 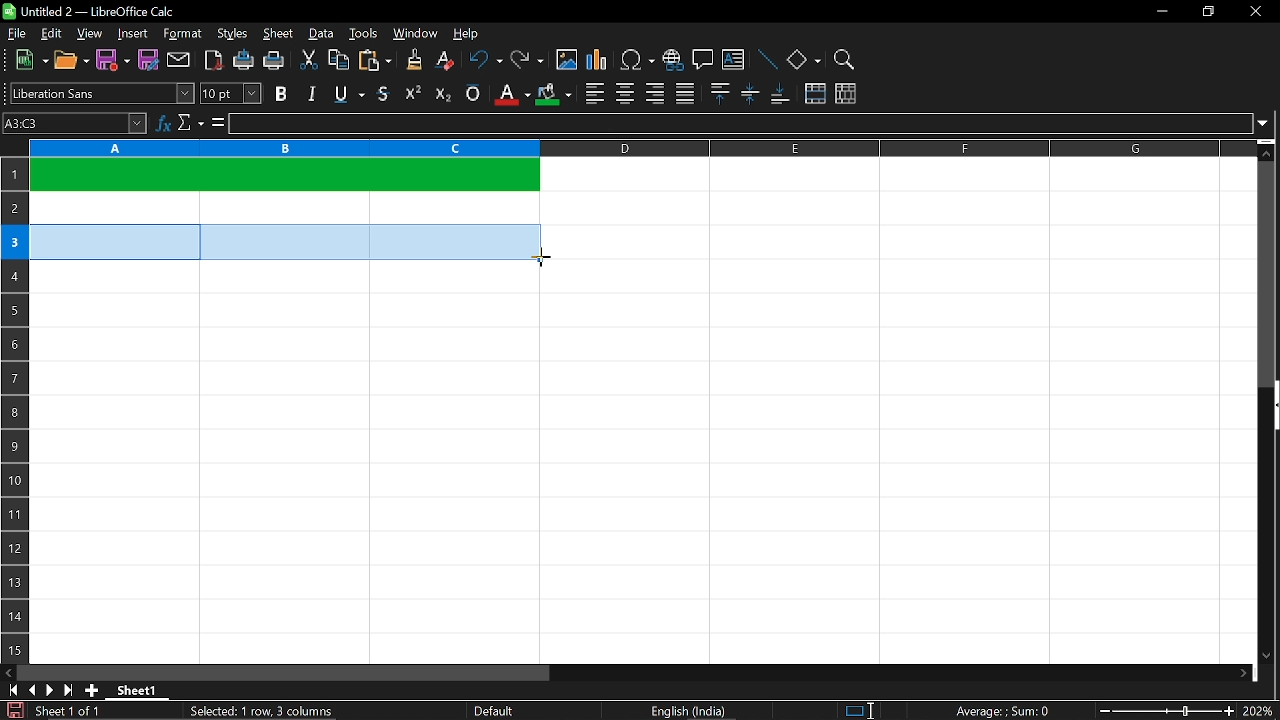 What do you see at coordinates (860, 711) in the screenshot?
I see `standard selection` at bounding box center [860, 711].